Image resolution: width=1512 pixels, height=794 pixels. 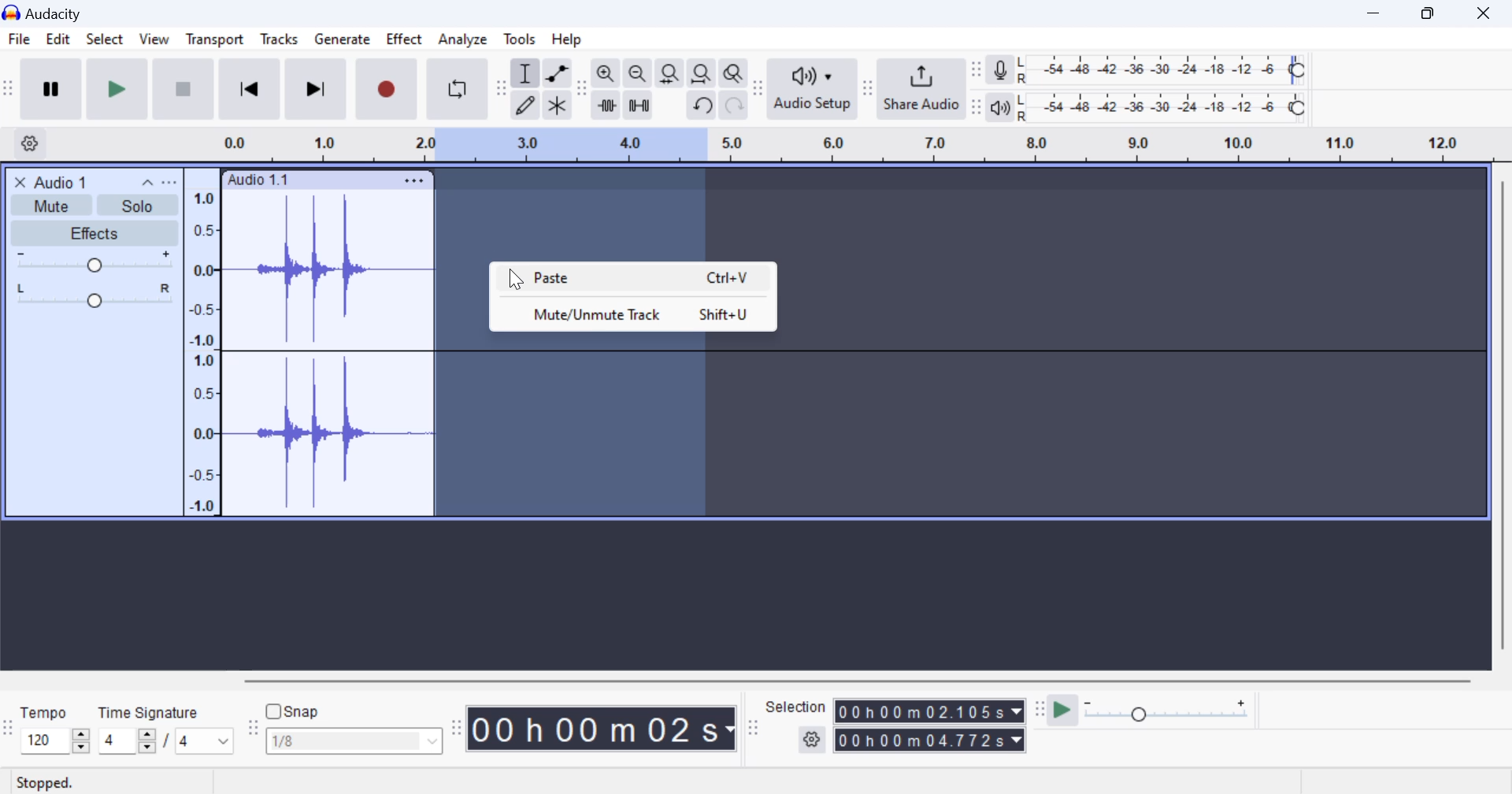 I want to click on Effect, so click(x=405, y=42).